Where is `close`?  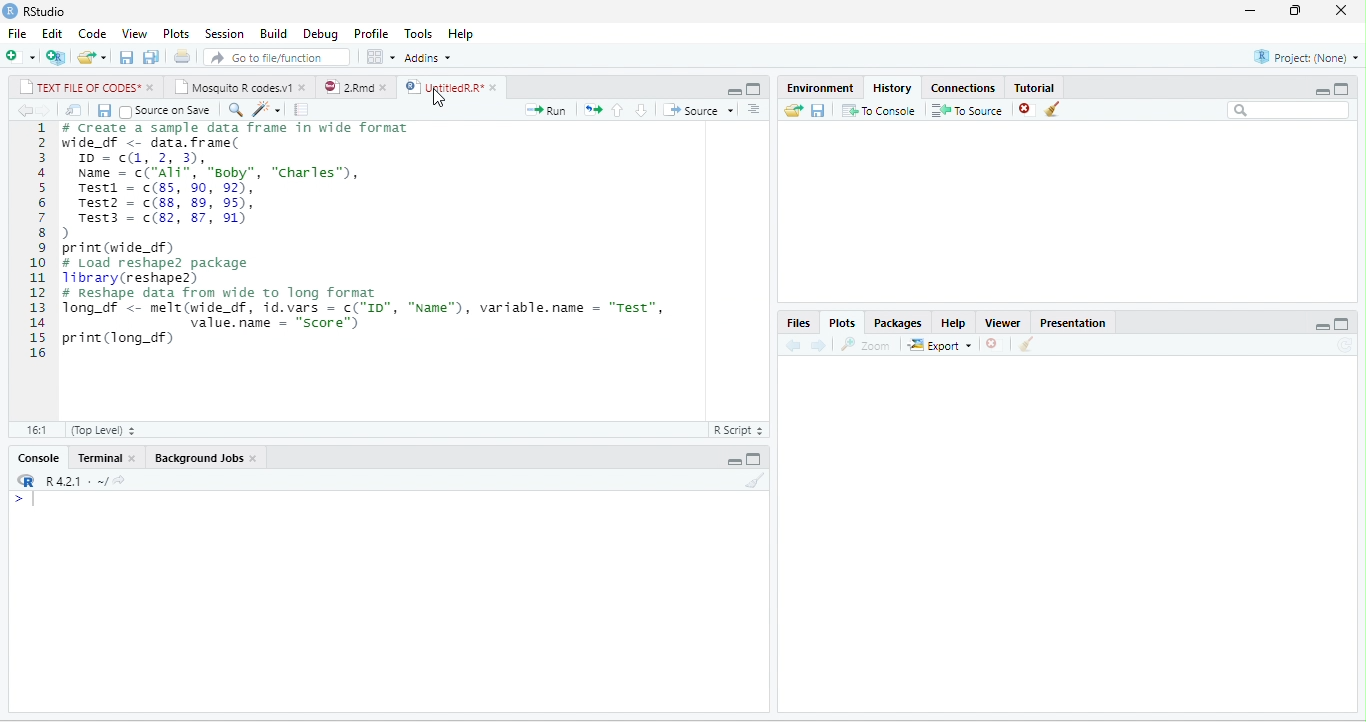 close is located at coordinates (387, 87).